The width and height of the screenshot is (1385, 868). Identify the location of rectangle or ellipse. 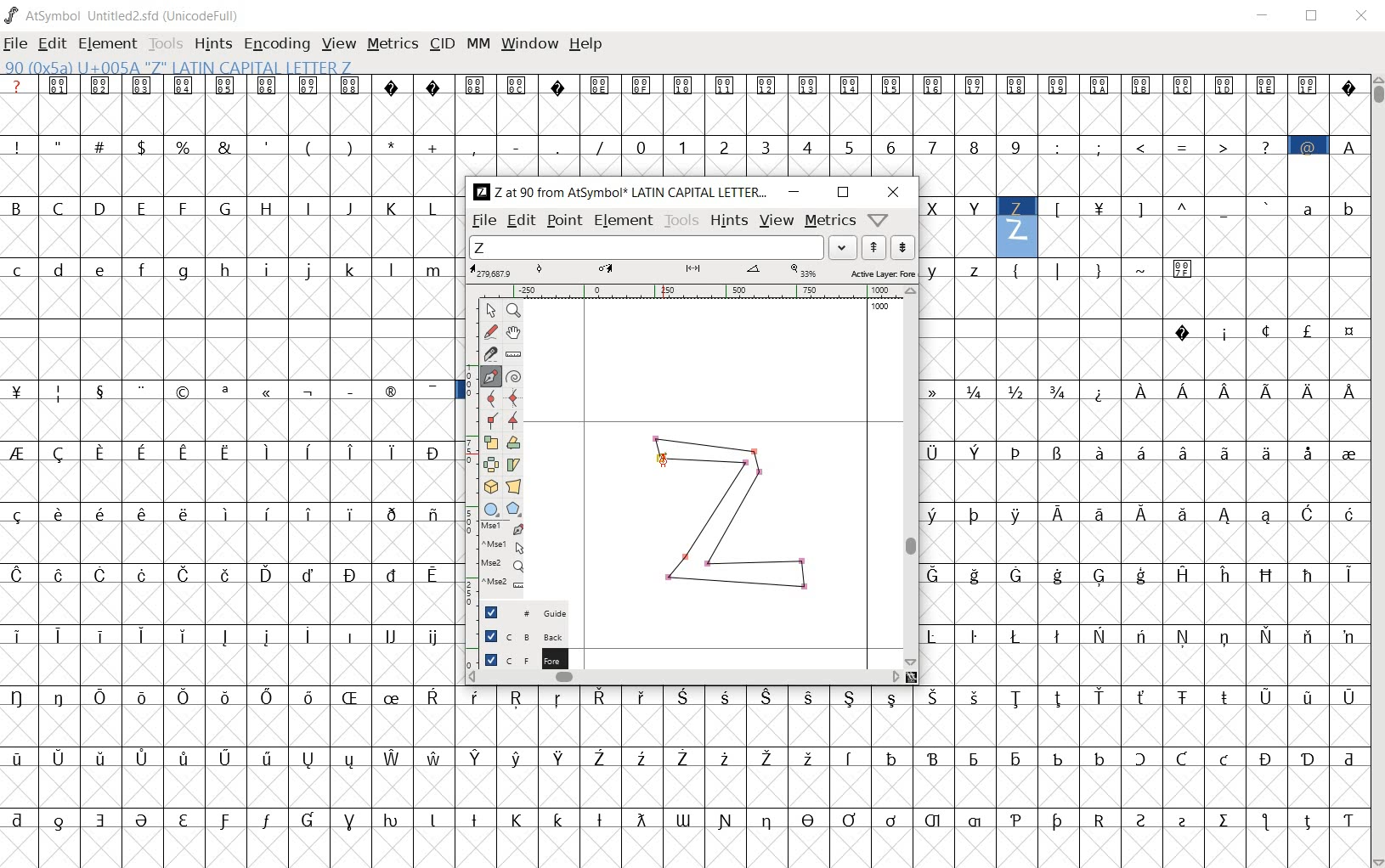
(491, 509).